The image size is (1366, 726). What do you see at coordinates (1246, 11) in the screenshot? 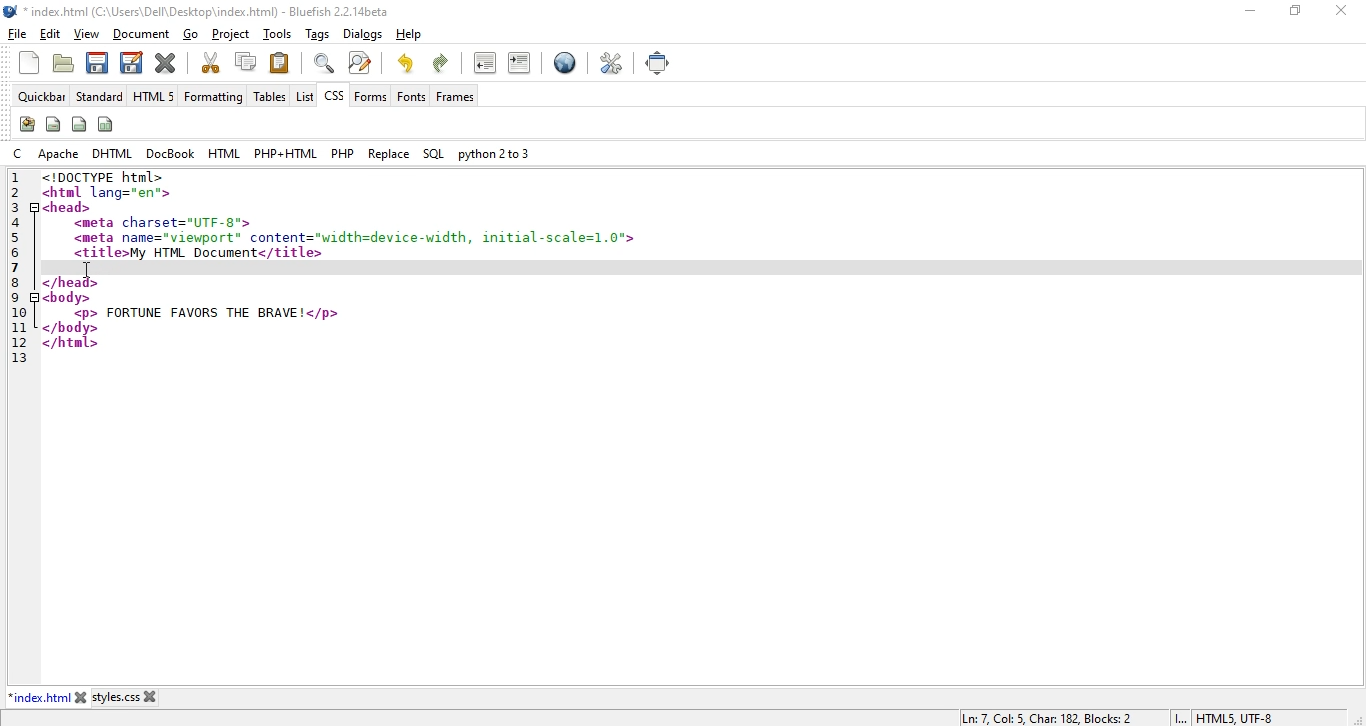
I see `minimize` at bounding box center [1246, 11].